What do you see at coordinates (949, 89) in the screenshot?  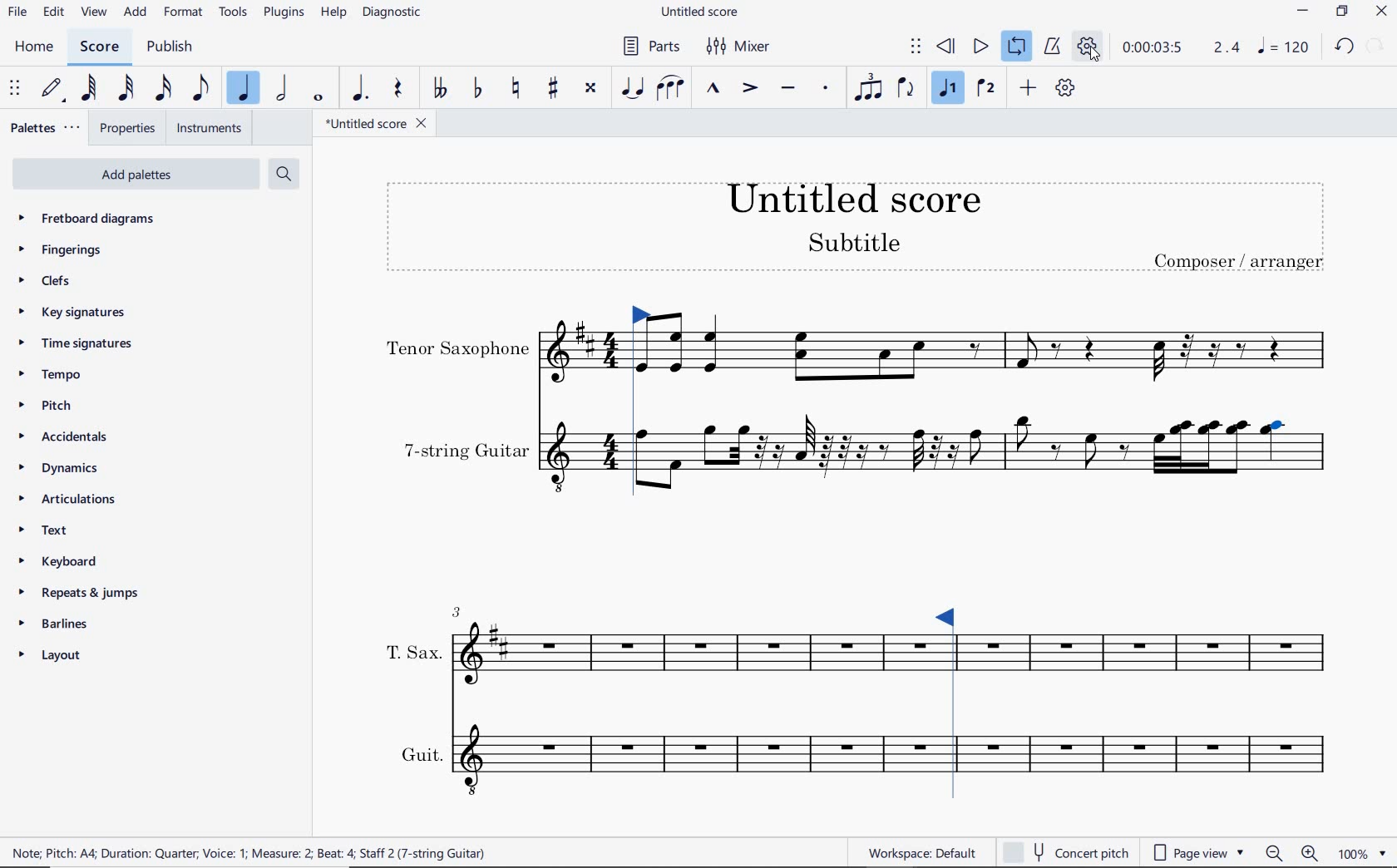 I see `VOICE 1` at bounding box center [949, 89].